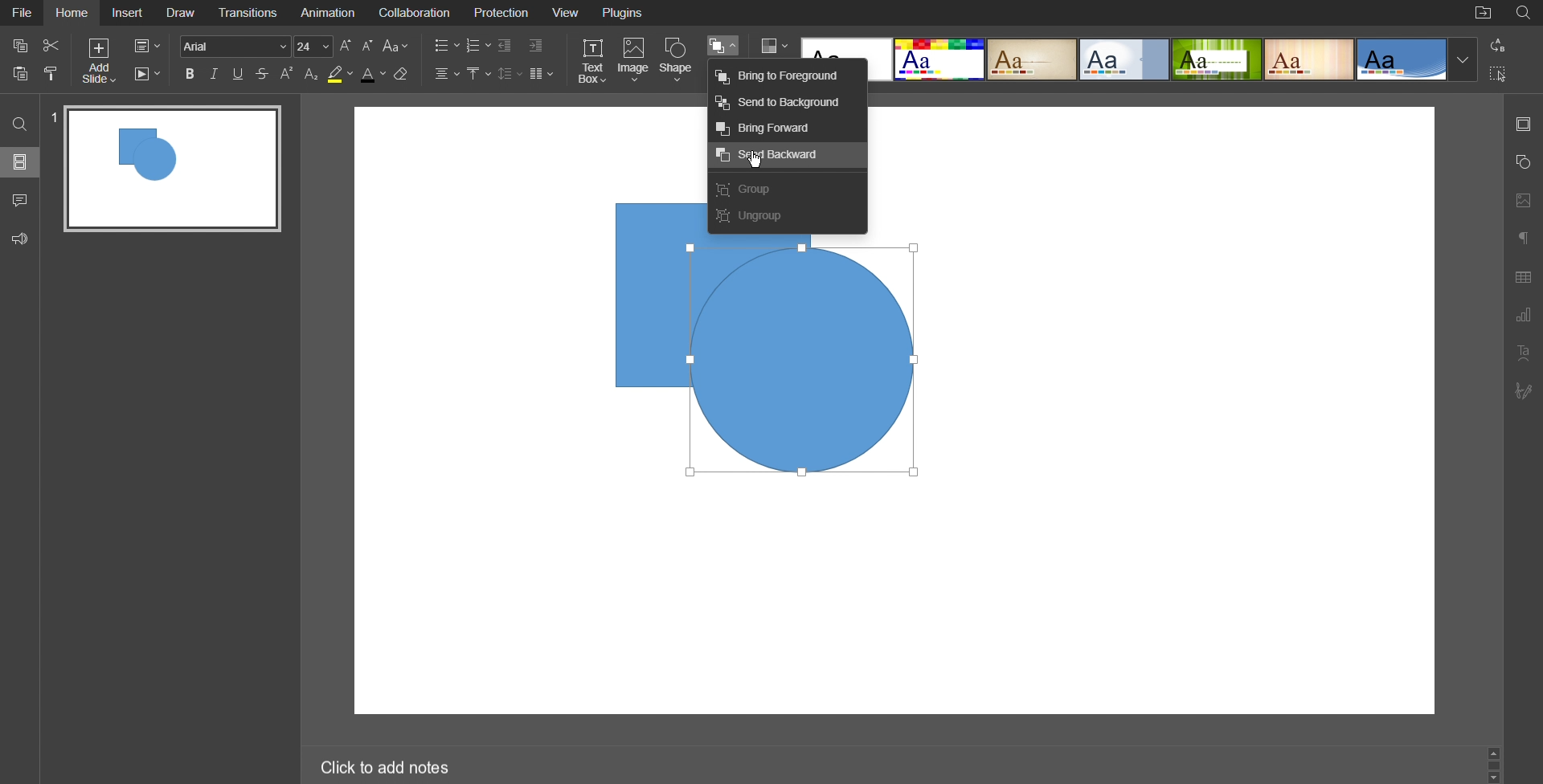 The image size is (1543, 784). Describe the element at coordinates (398, 46) in the screenshot. I see `Font Case` at that location.